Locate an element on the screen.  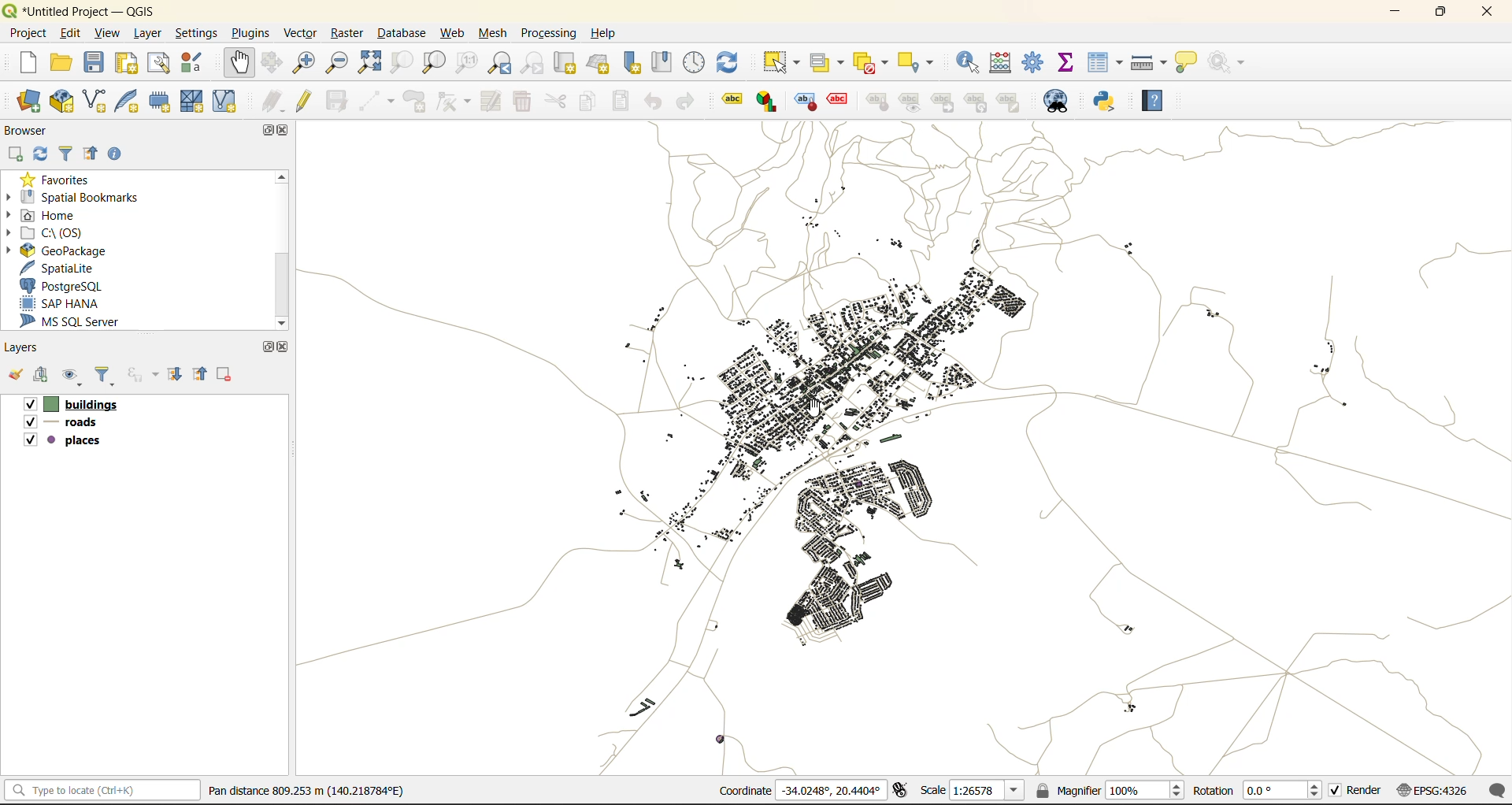
show tips is located at coordinates (1186, 63).